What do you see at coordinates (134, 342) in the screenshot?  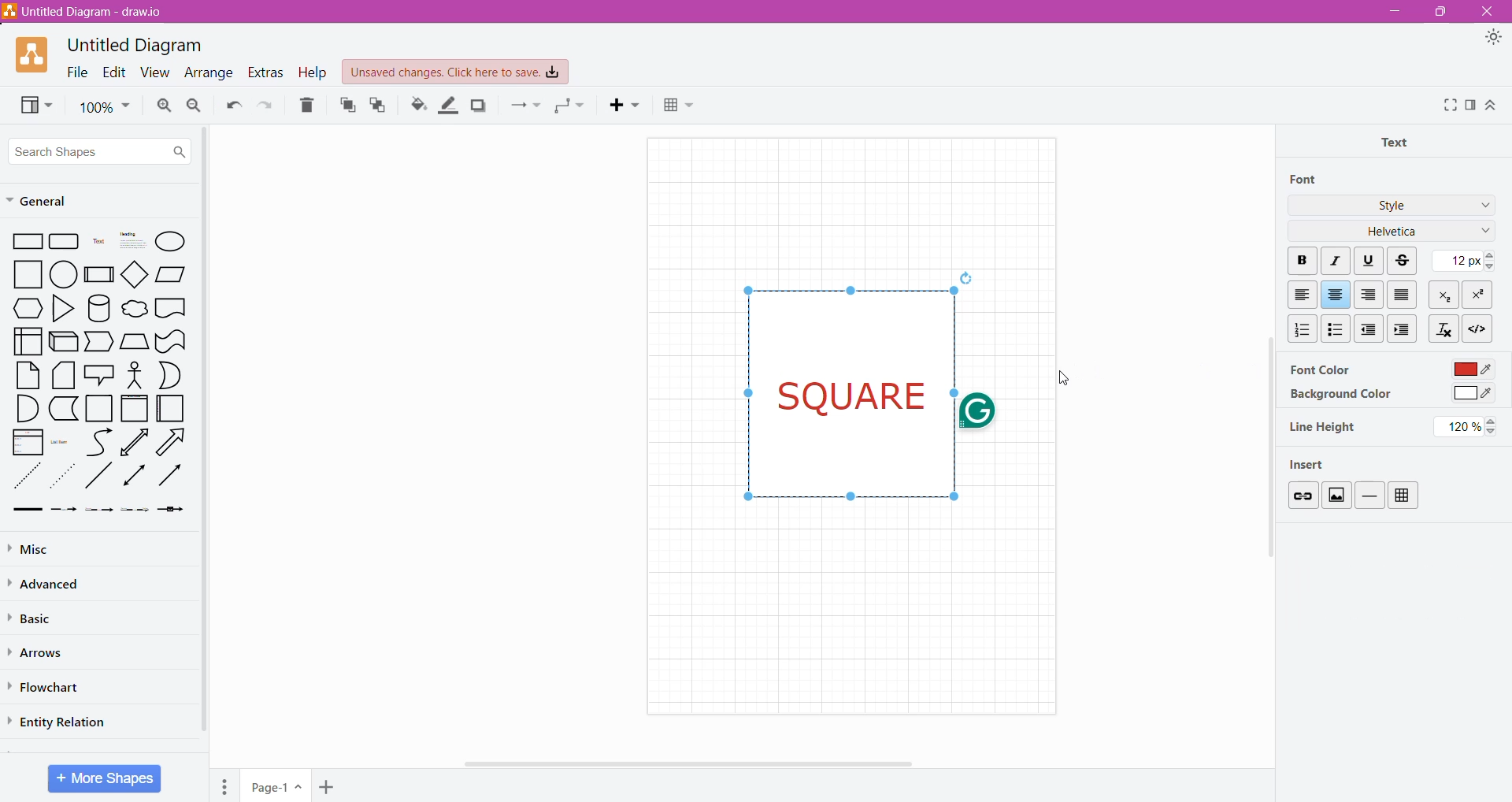 I see `Manual Input` at bounding box center [134, 342].